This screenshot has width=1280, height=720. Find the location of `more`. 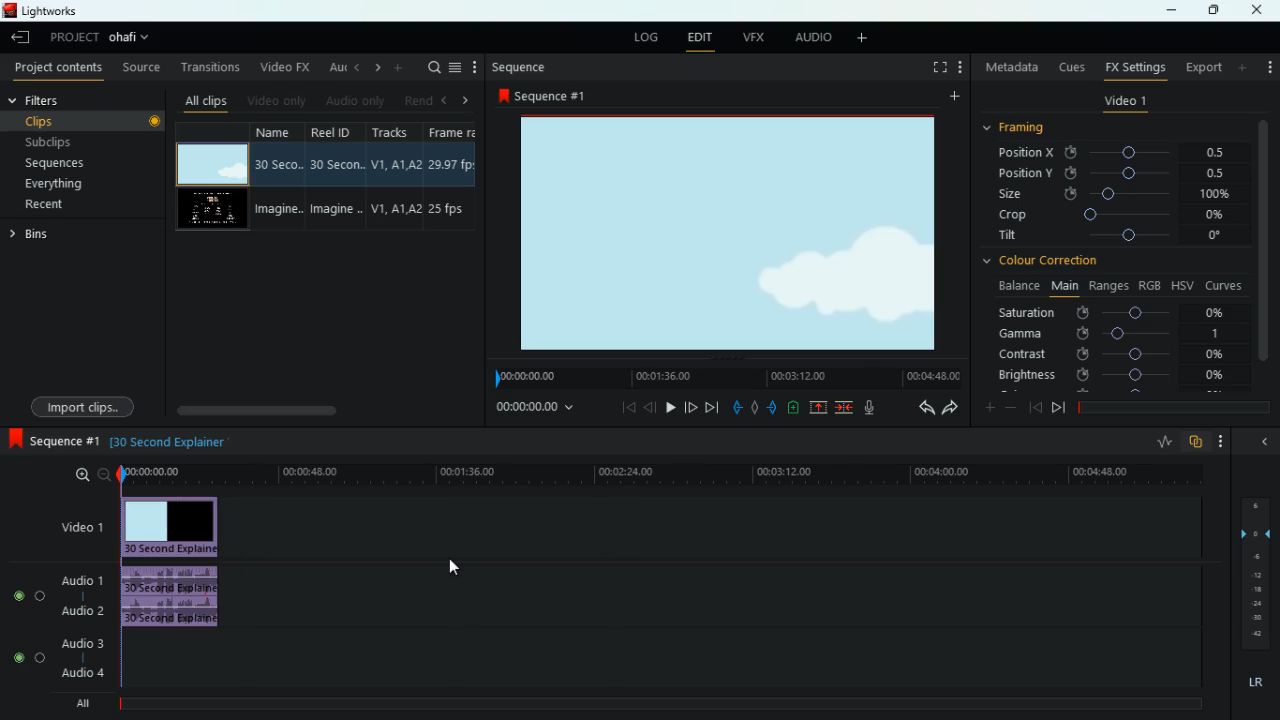

more is located at coordinates (1221, 440).